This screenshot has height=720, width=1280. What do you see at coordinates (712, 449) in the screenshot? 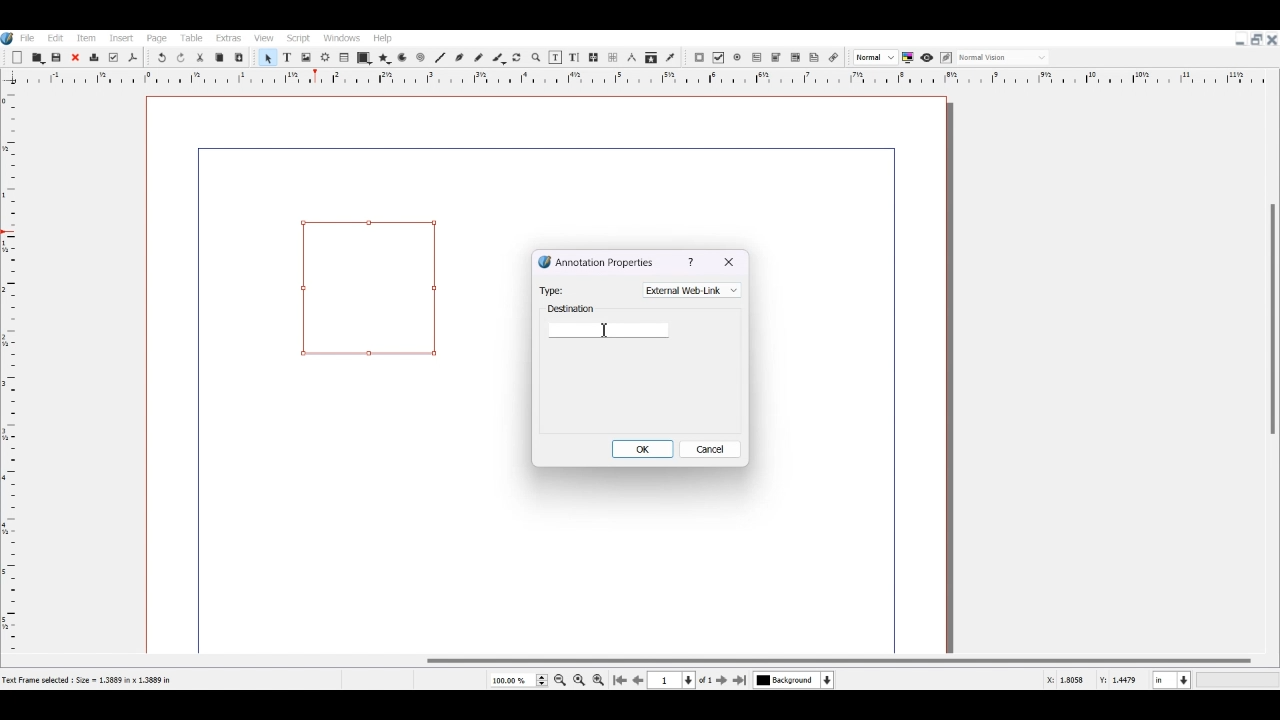
I see `Cancel` at bounding box center [712, 449].